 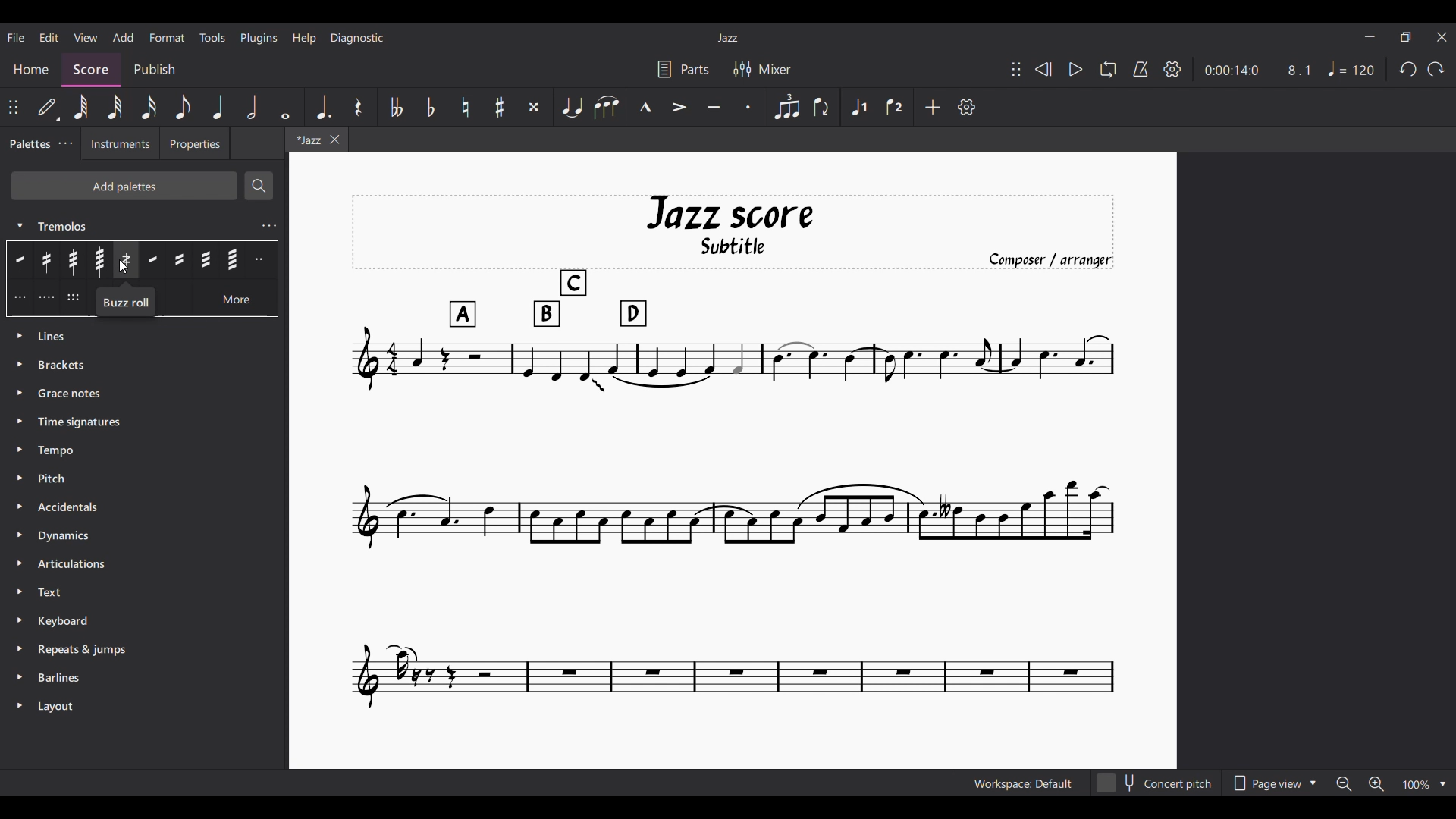 I want to click on Loop playback, so click(x=1108, y=69).